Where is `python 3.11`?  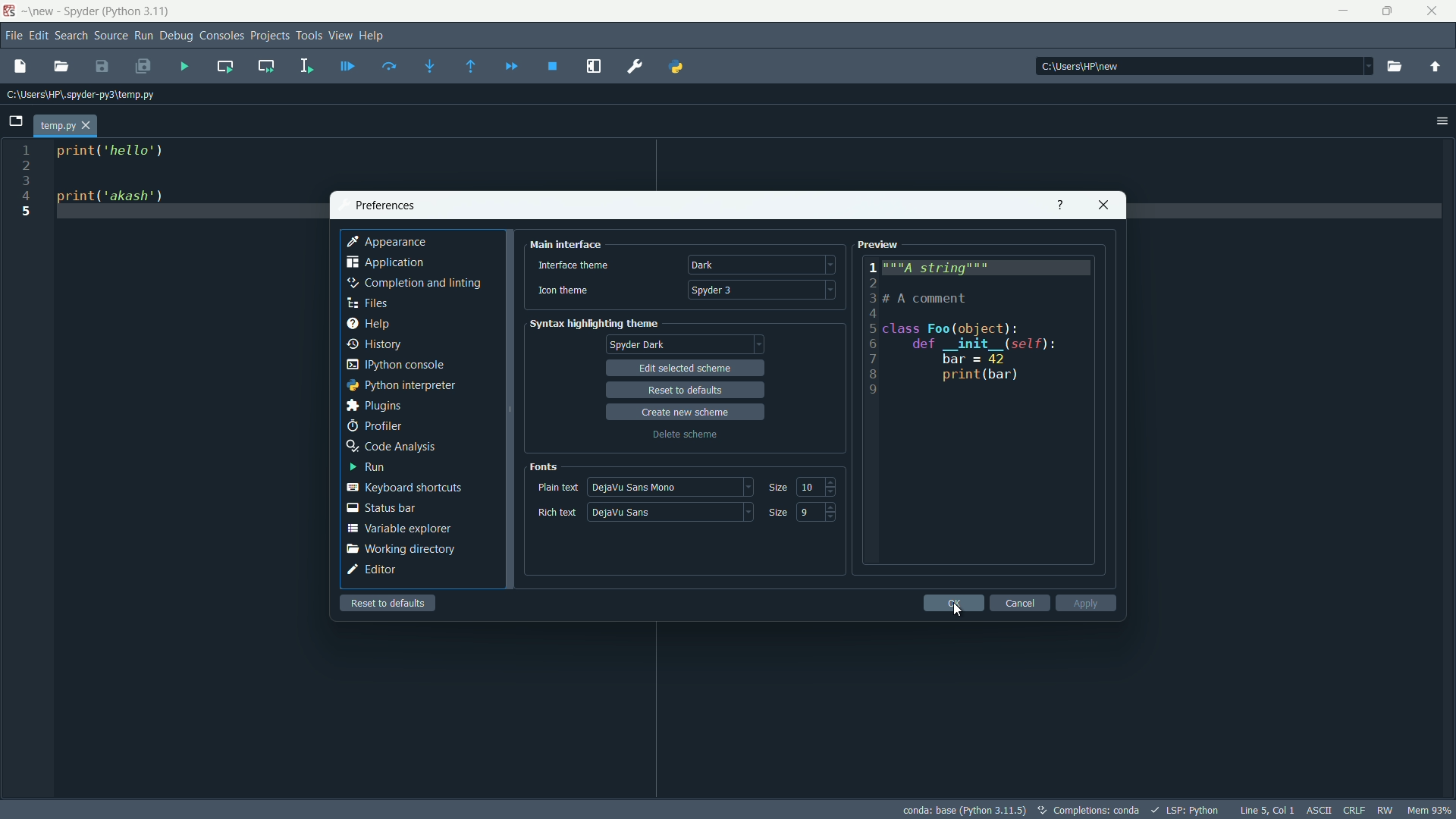
python 3.11 is located at coordinates (136, 12).